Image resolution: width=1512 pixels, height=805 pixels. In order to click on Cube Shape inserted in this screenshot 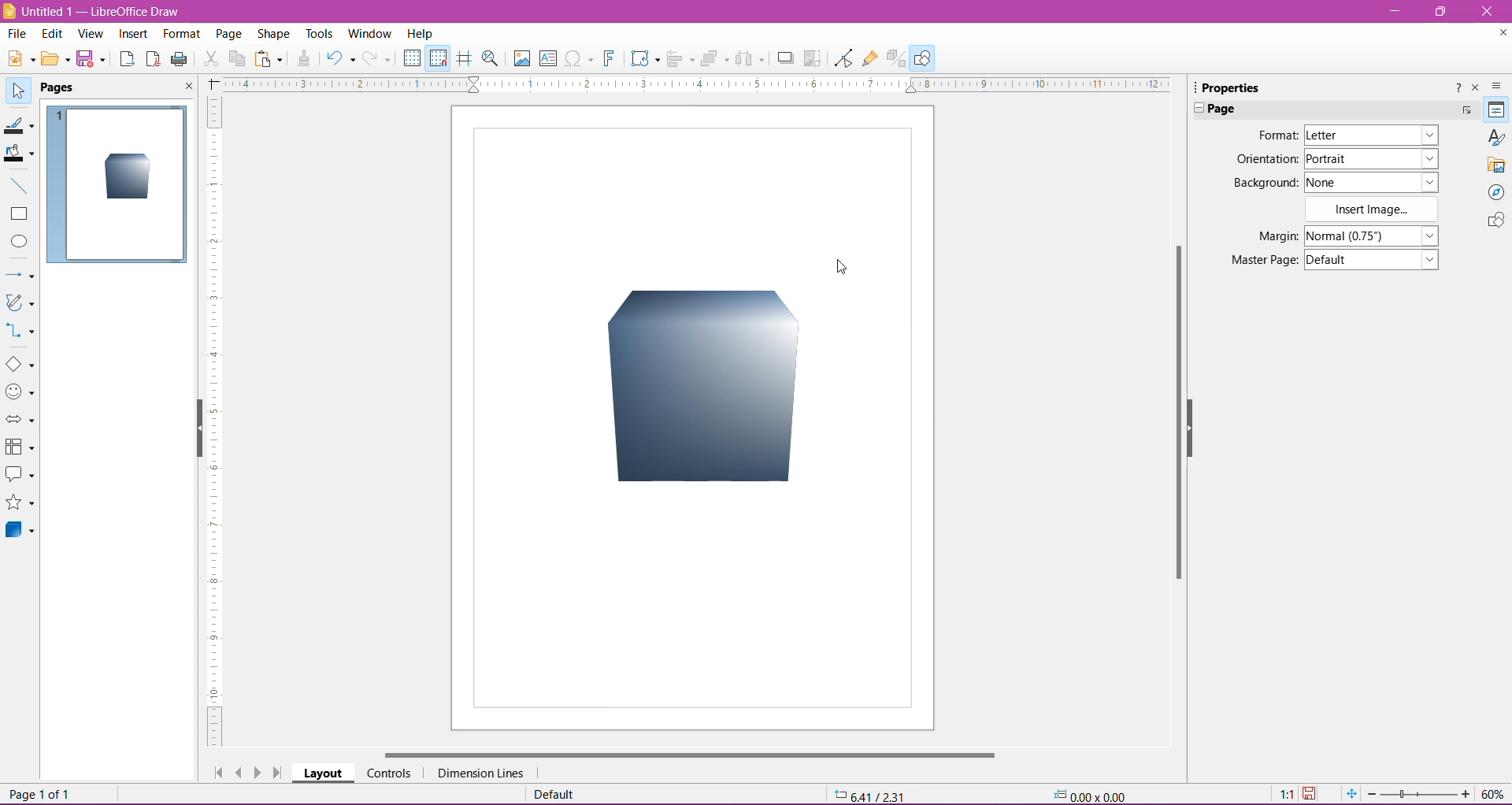, I will do `click(128, 178)`.